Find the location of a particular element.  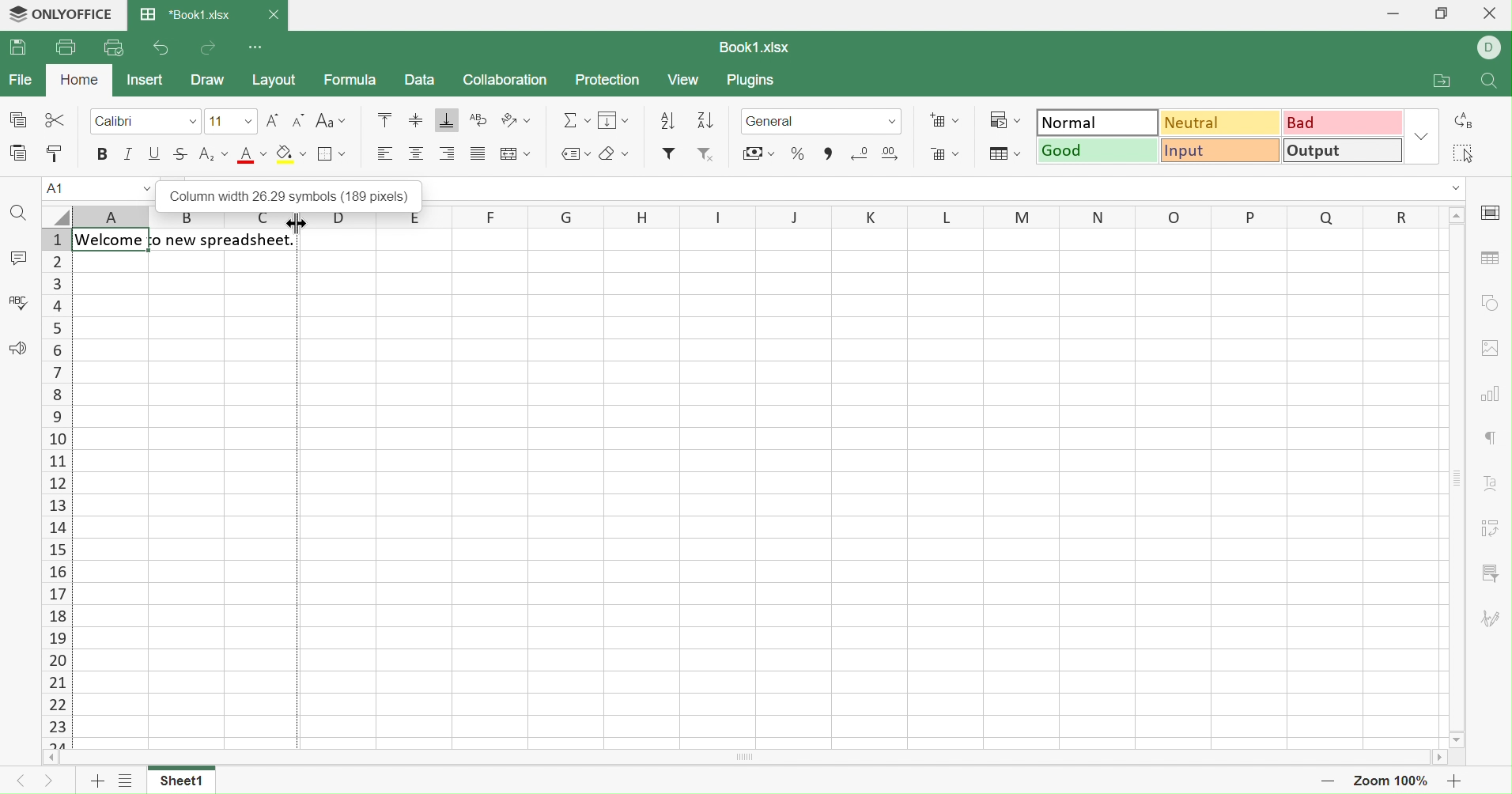

Font color is located at coordinates (255, 155).